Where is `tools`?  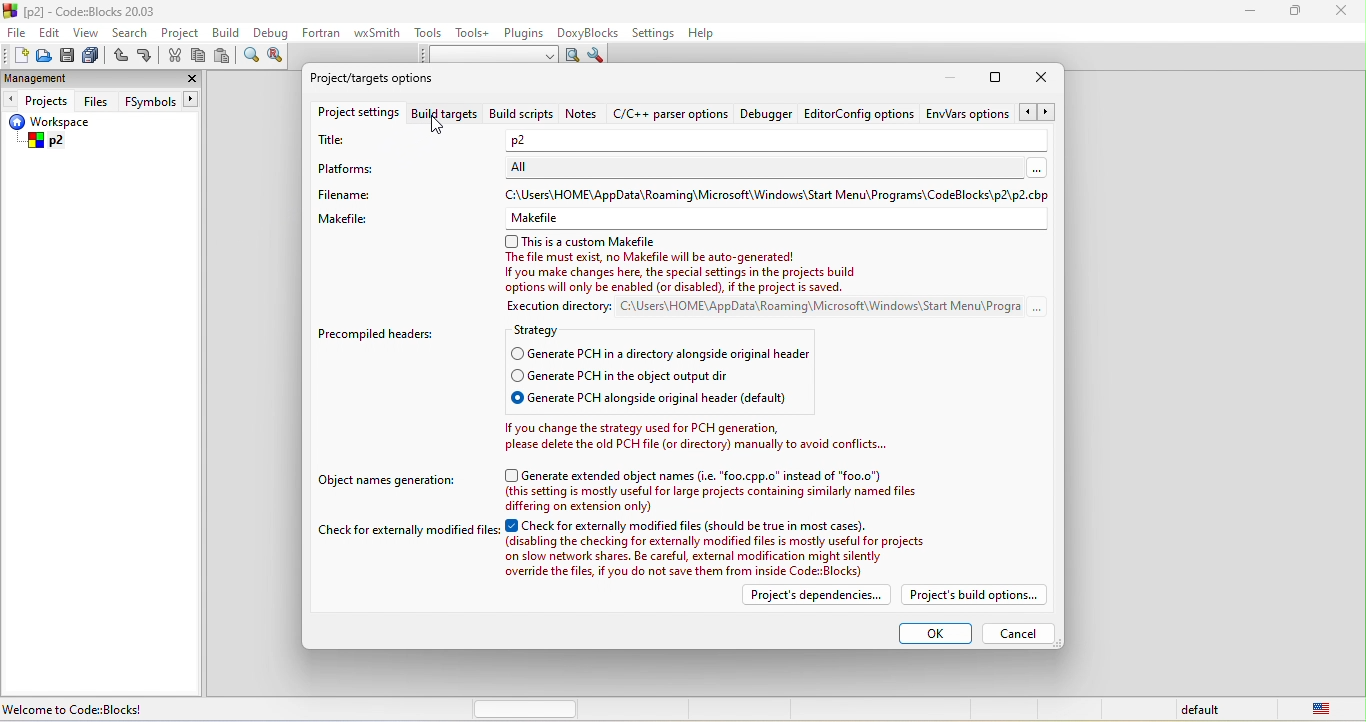 tools is located at coordinates (429, 35).